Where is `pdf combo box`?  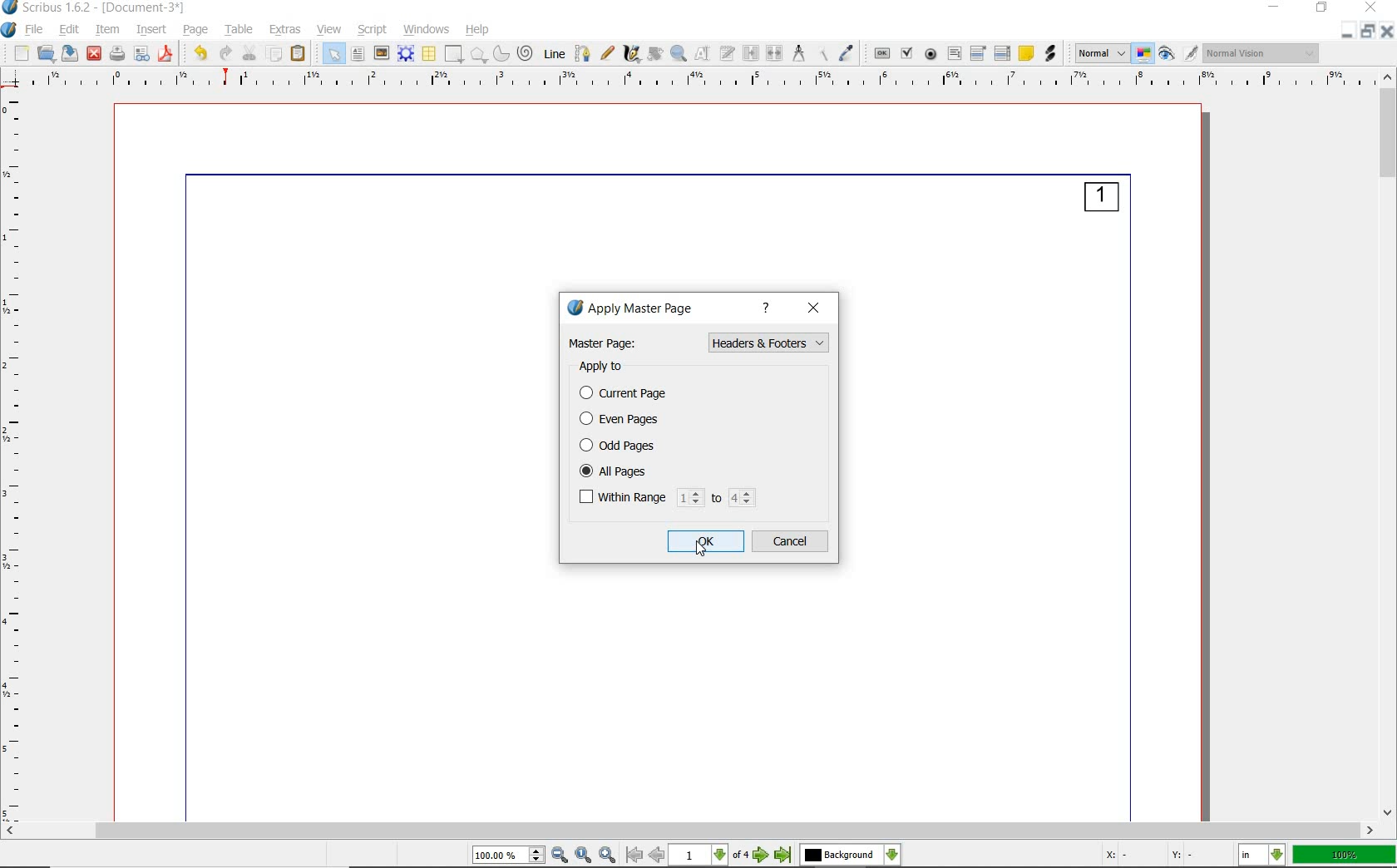
pdf combo box is located at coordinates (979, 54).